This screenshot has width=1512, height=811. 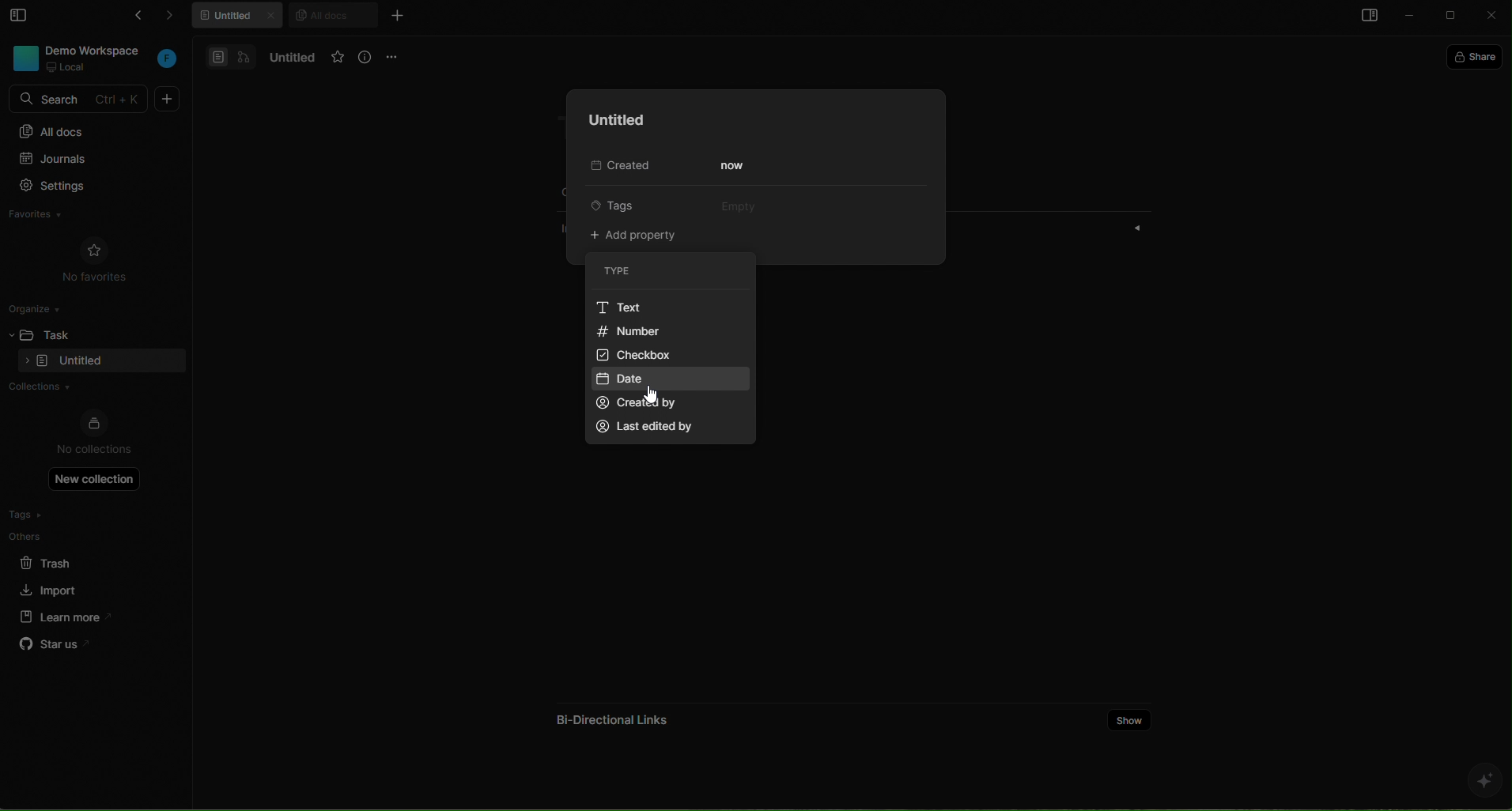 What do you see at coordinates (1366, 17) in the screenshot?
I see `open sidebar` at bounding box center [1366, 17].